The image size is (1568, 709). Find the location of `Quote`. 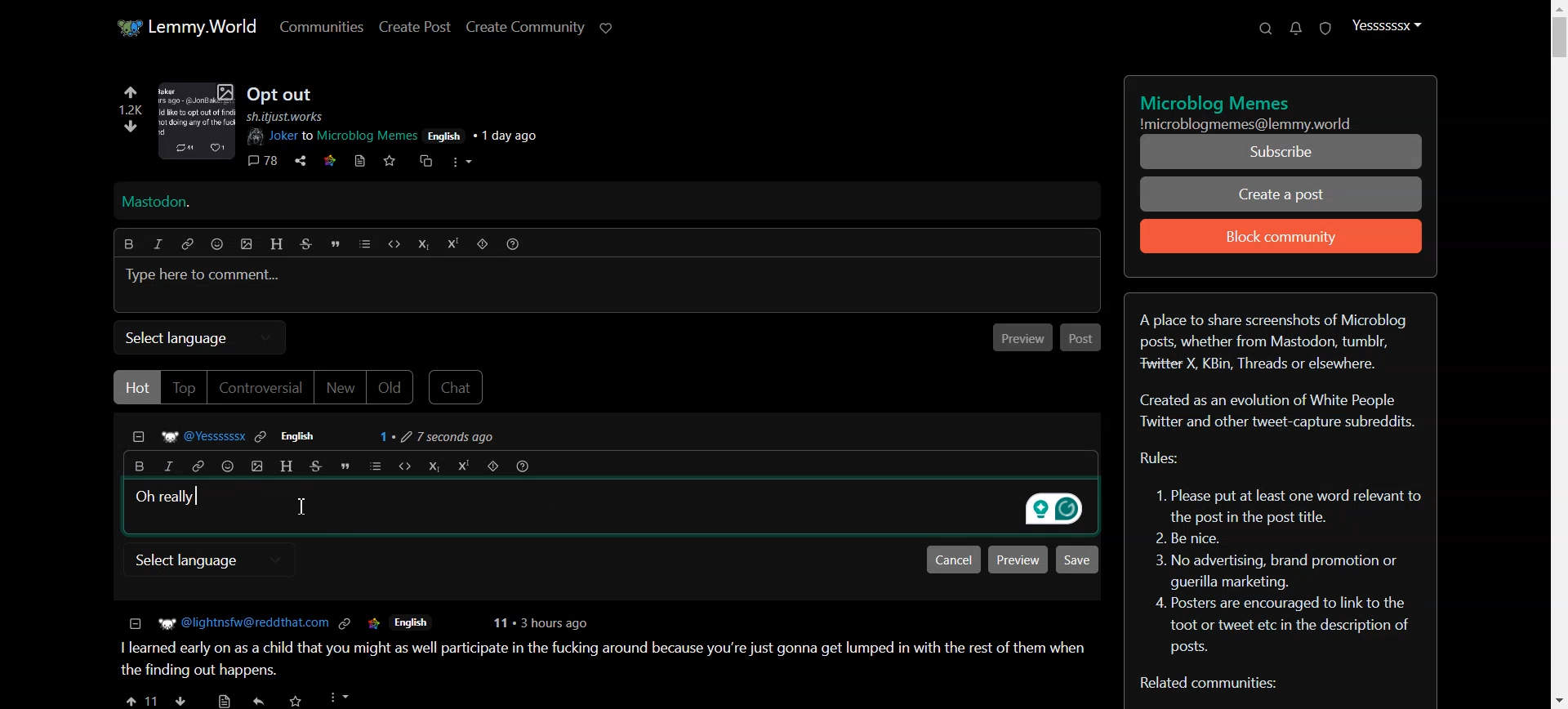

Quote is located at coordinates (343, 466).